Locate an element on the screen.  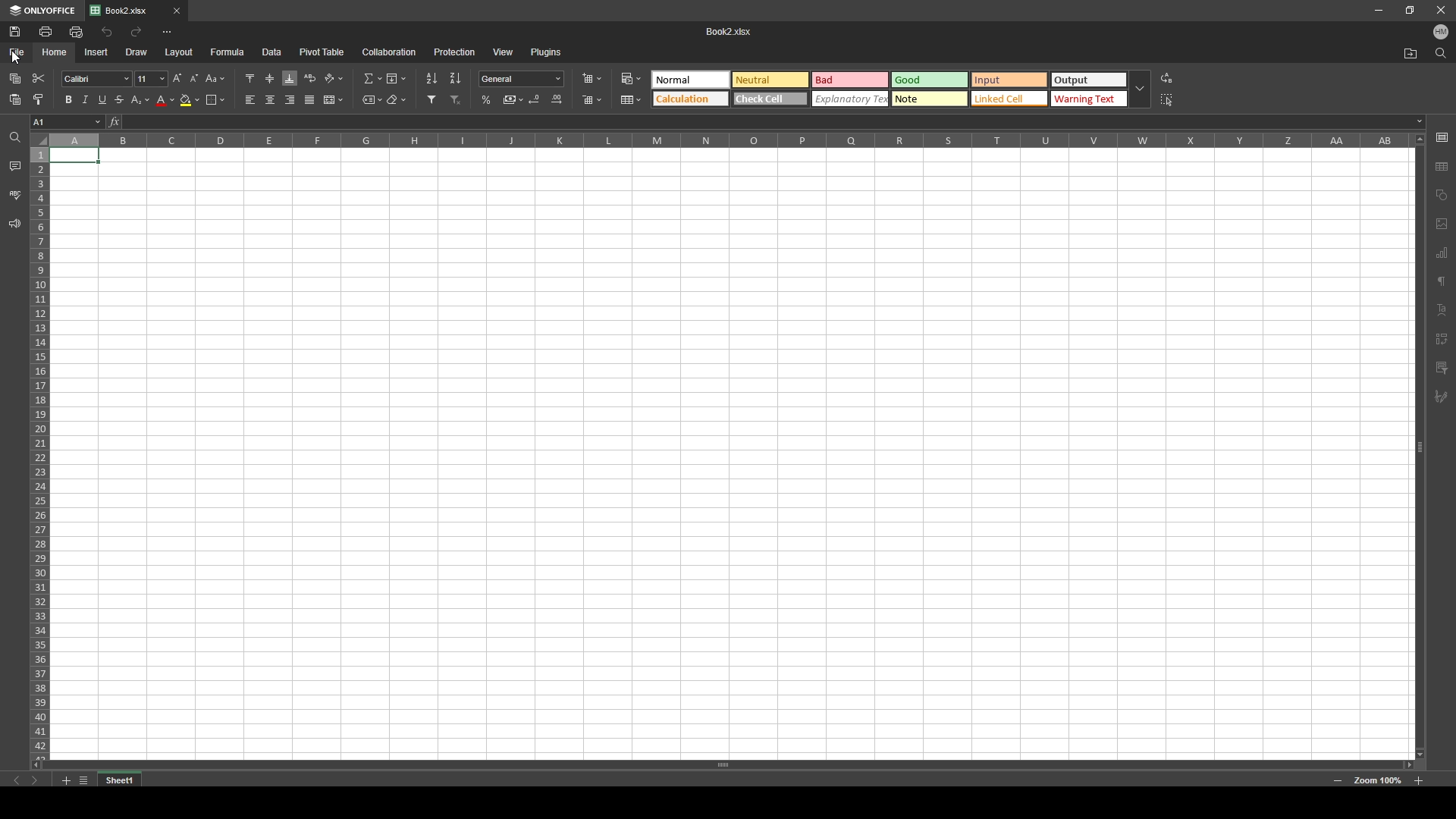
tool brush is located at coordinates (1442, 397).